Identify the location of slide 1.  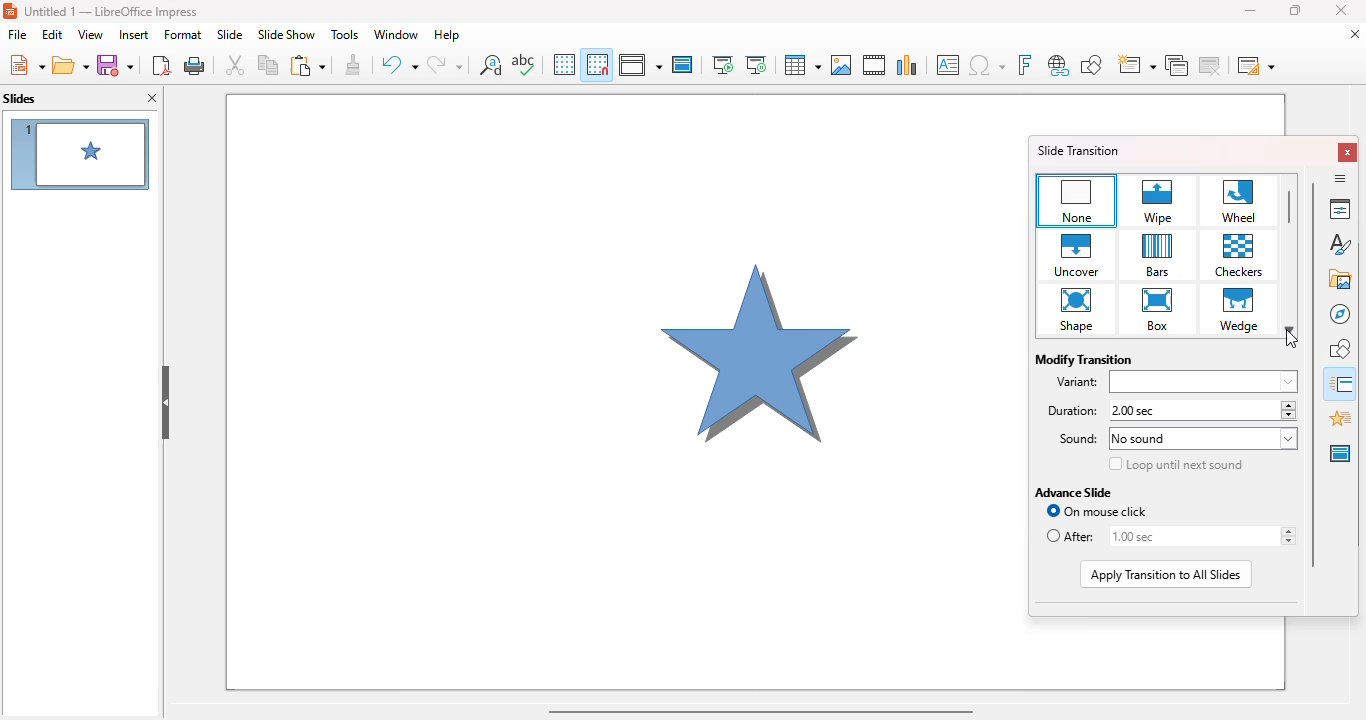
(623, 391).